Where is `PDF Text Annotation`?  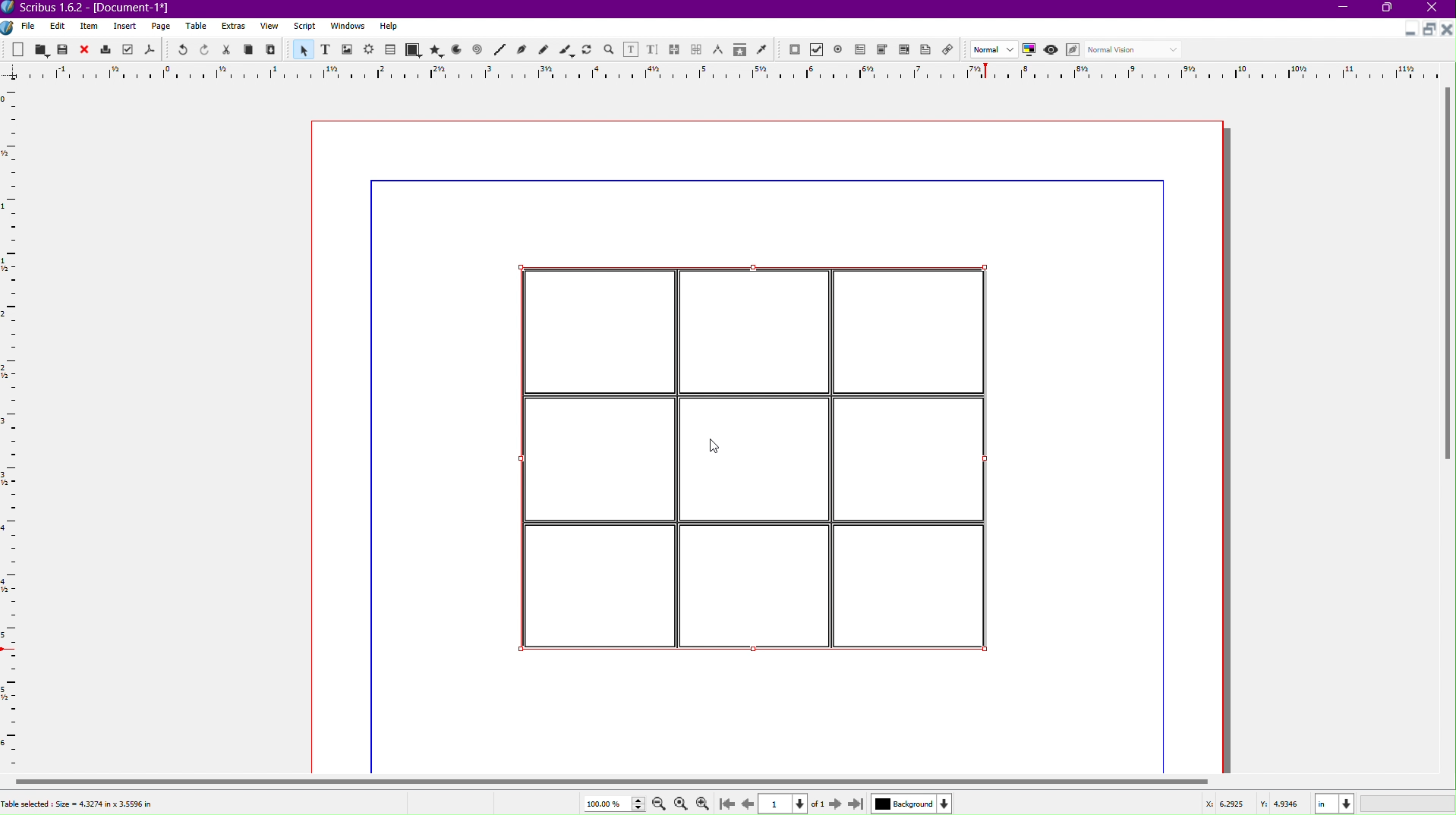 PDF Text Annotation is located at coordinates (928, 52).